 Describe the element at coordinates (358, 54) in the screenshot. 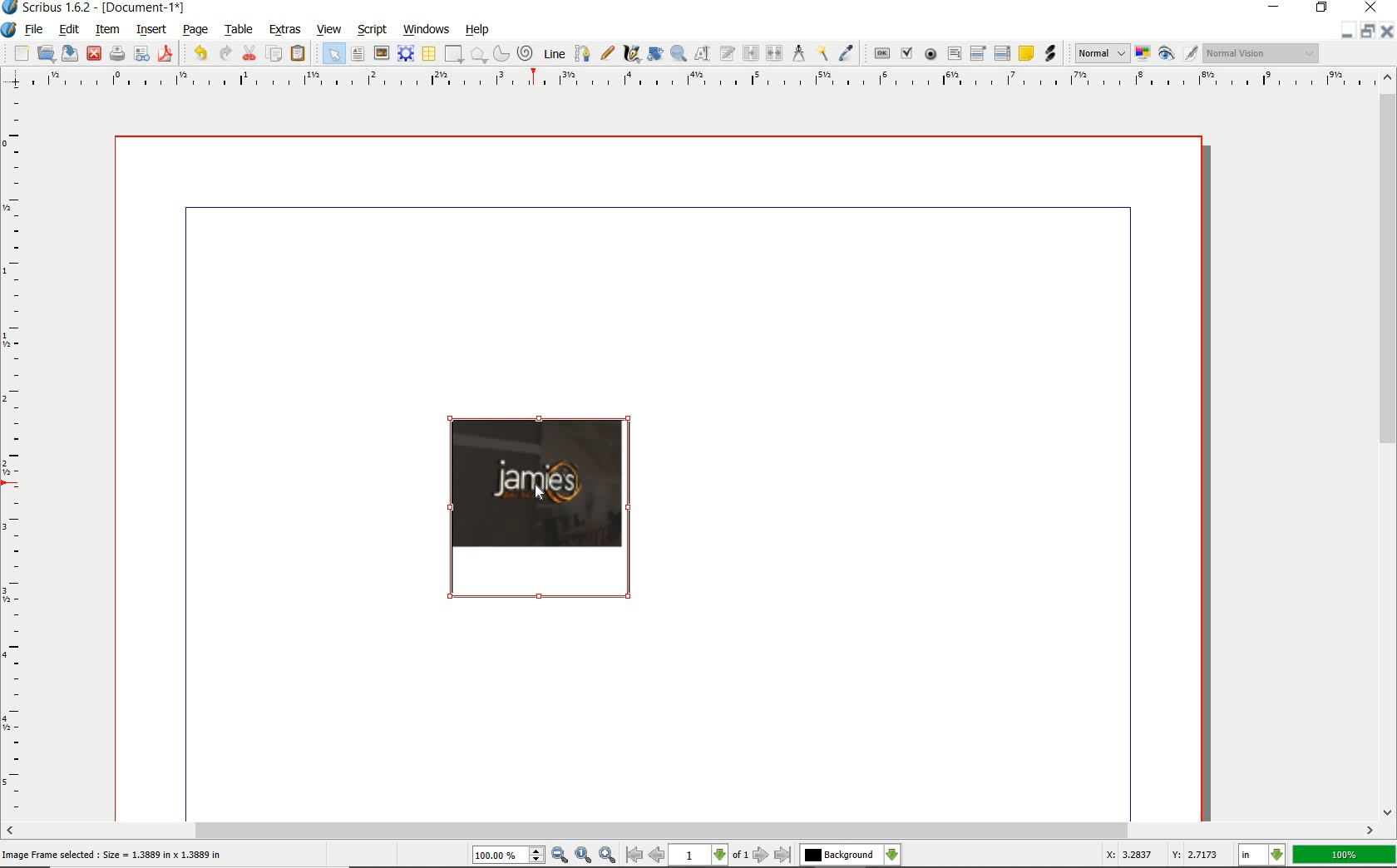

I see `text frame` at that location.